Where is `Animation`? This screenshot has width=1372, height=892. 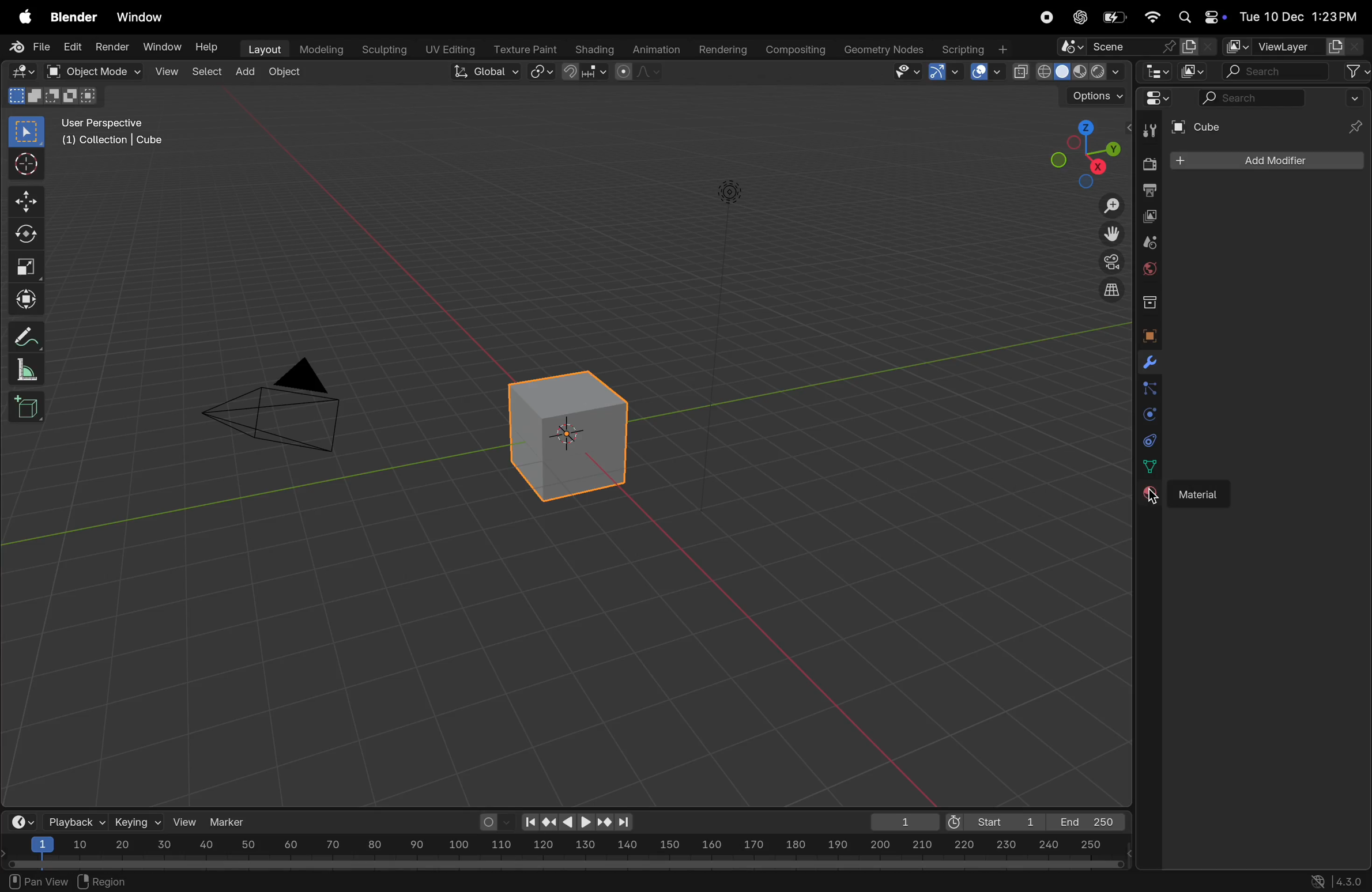 Animation is located at coordinates (658, 48).